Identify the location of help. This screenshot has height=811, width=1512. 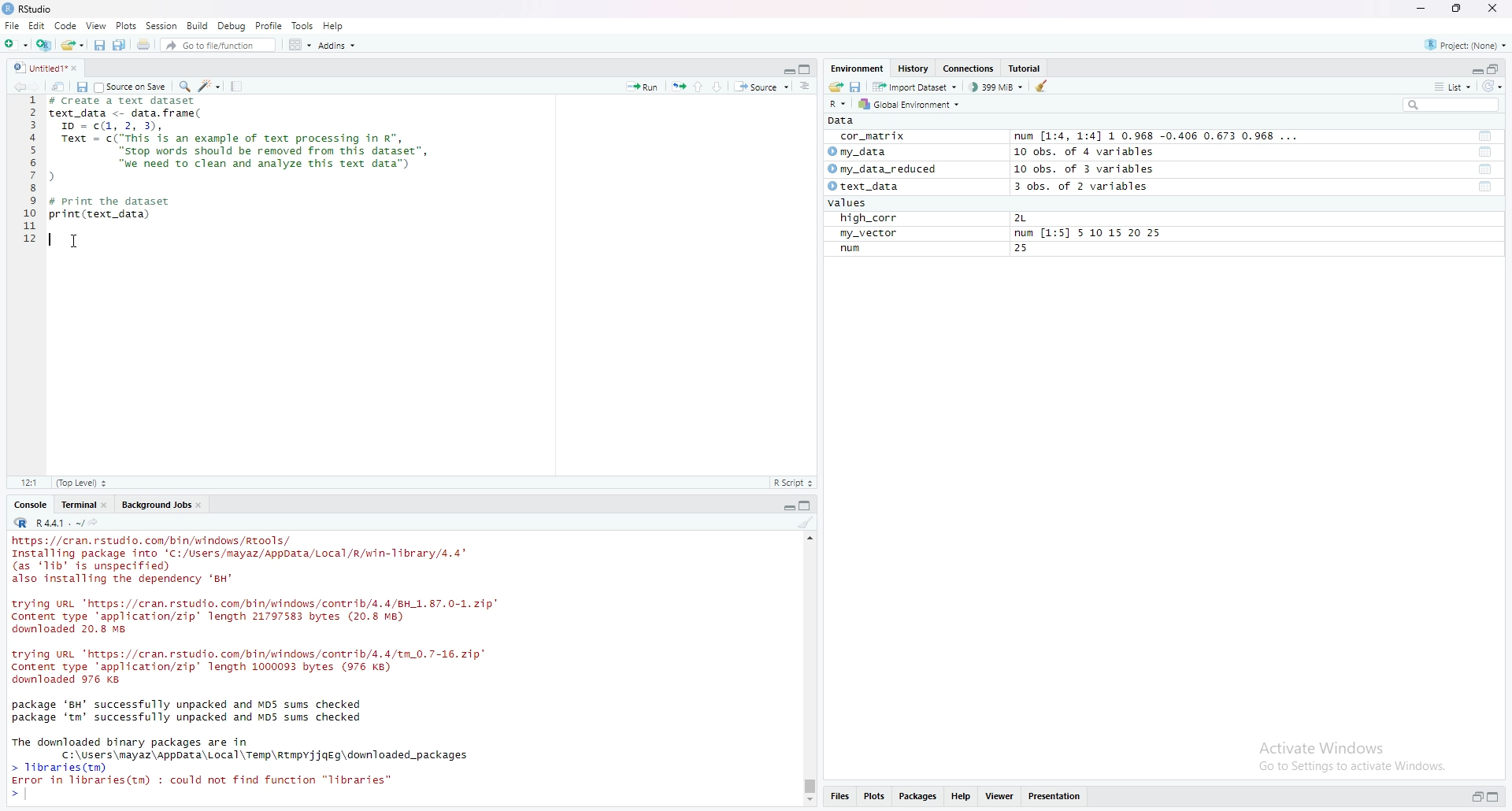
(334, 26).